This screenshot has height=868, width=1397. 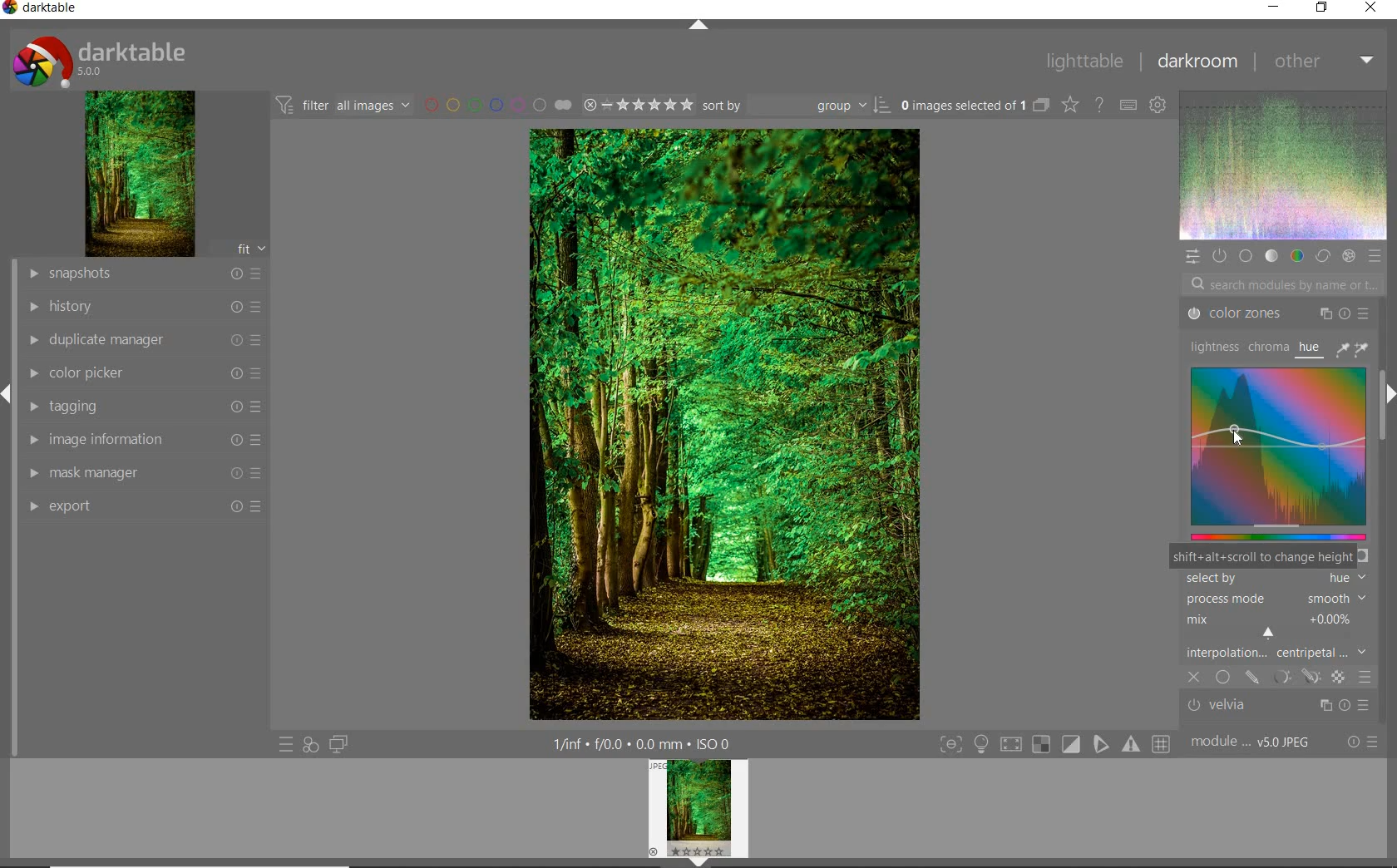 What do you see at coordinates (1293, 678) in the screenshot?
I see `masking options` at bounding box center [1293, 678].